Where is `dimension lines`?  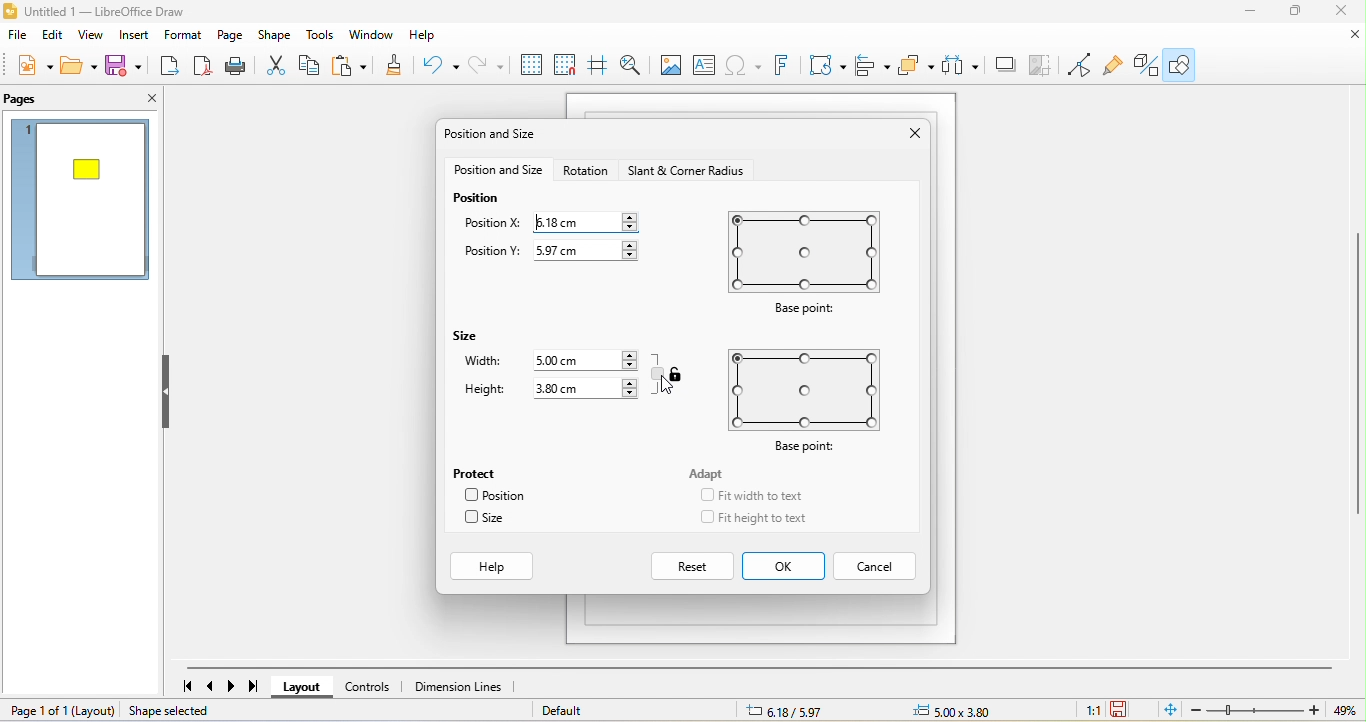 dimension lines is located at coordinates (460, 686).